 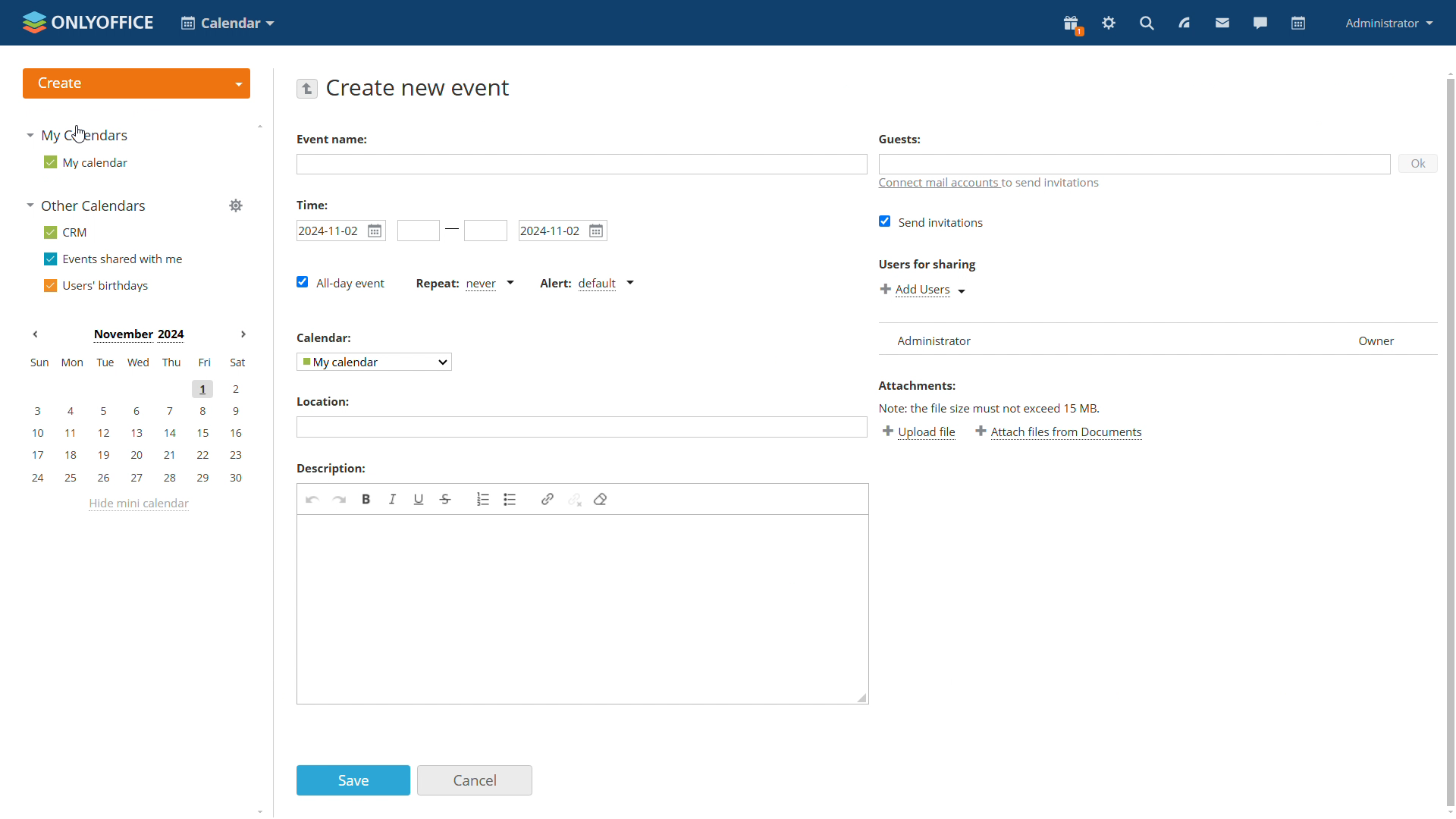 What do you see at coordinates (1185, 23) in the screenshot?
I see `view` at bounding box center [1185, 23].